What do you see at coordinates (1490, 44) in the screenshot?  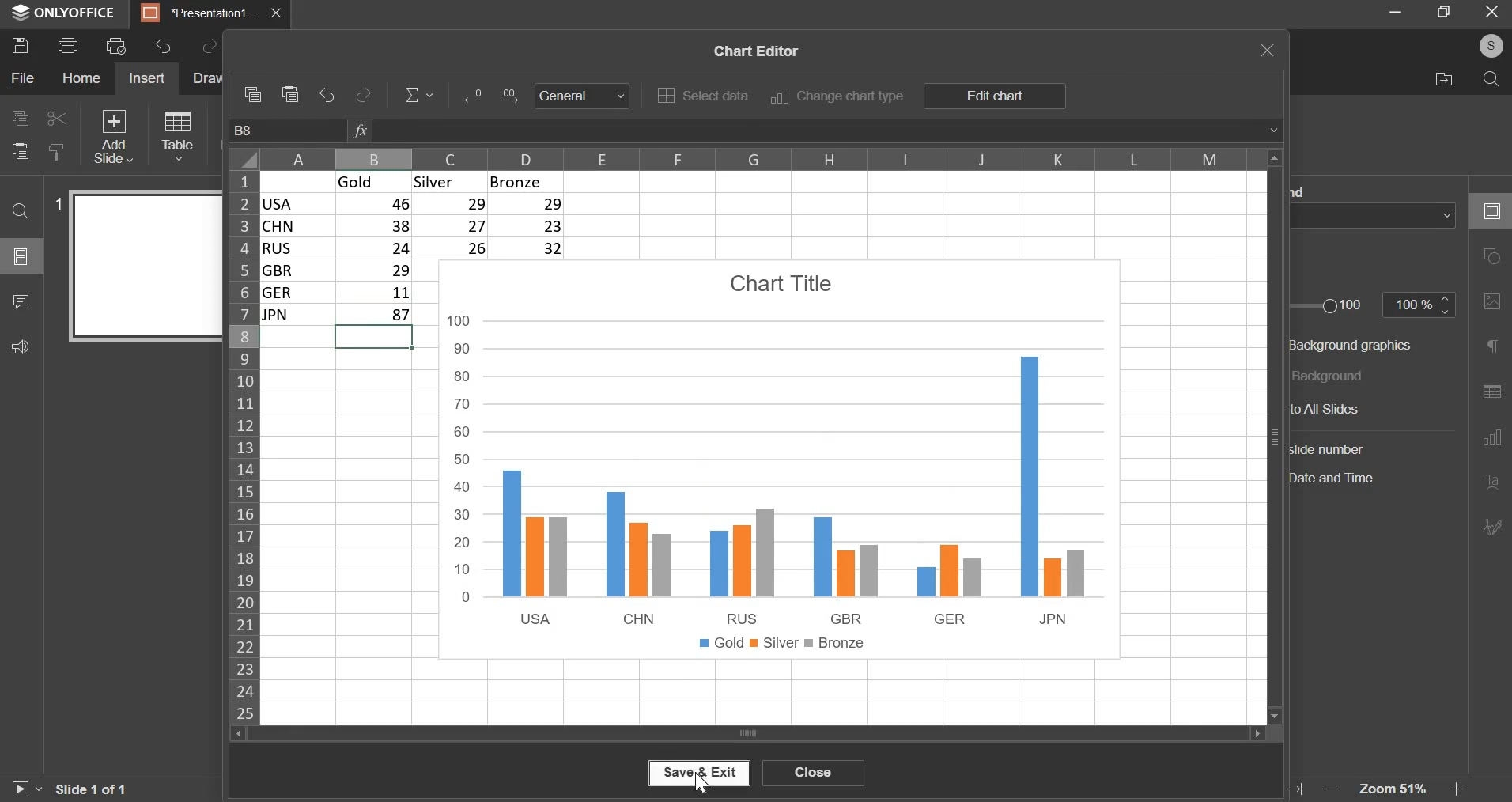 I see `profile` at bounding box center [1490, 44].